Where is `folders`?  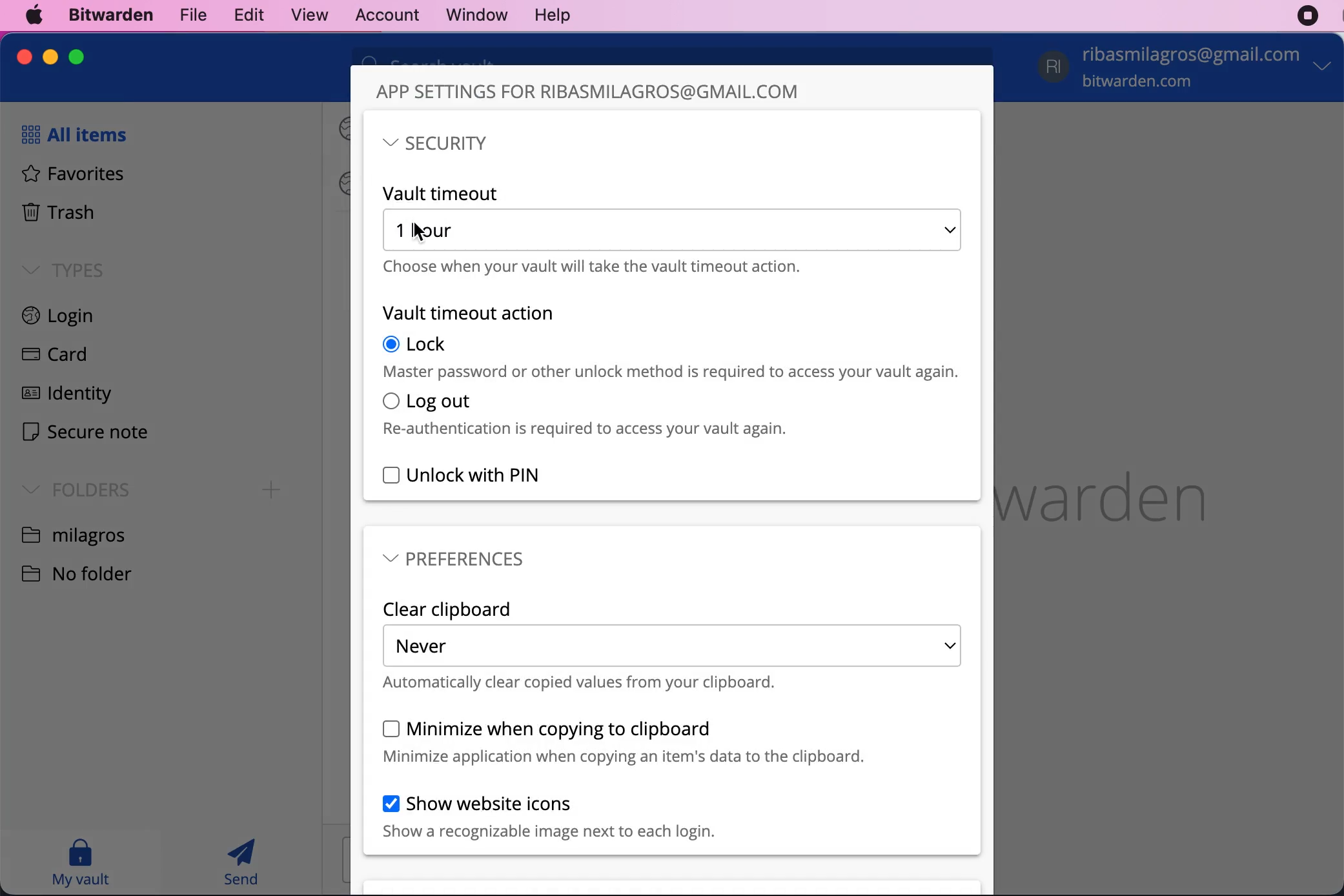 folders is located at coordinates (72, 488).